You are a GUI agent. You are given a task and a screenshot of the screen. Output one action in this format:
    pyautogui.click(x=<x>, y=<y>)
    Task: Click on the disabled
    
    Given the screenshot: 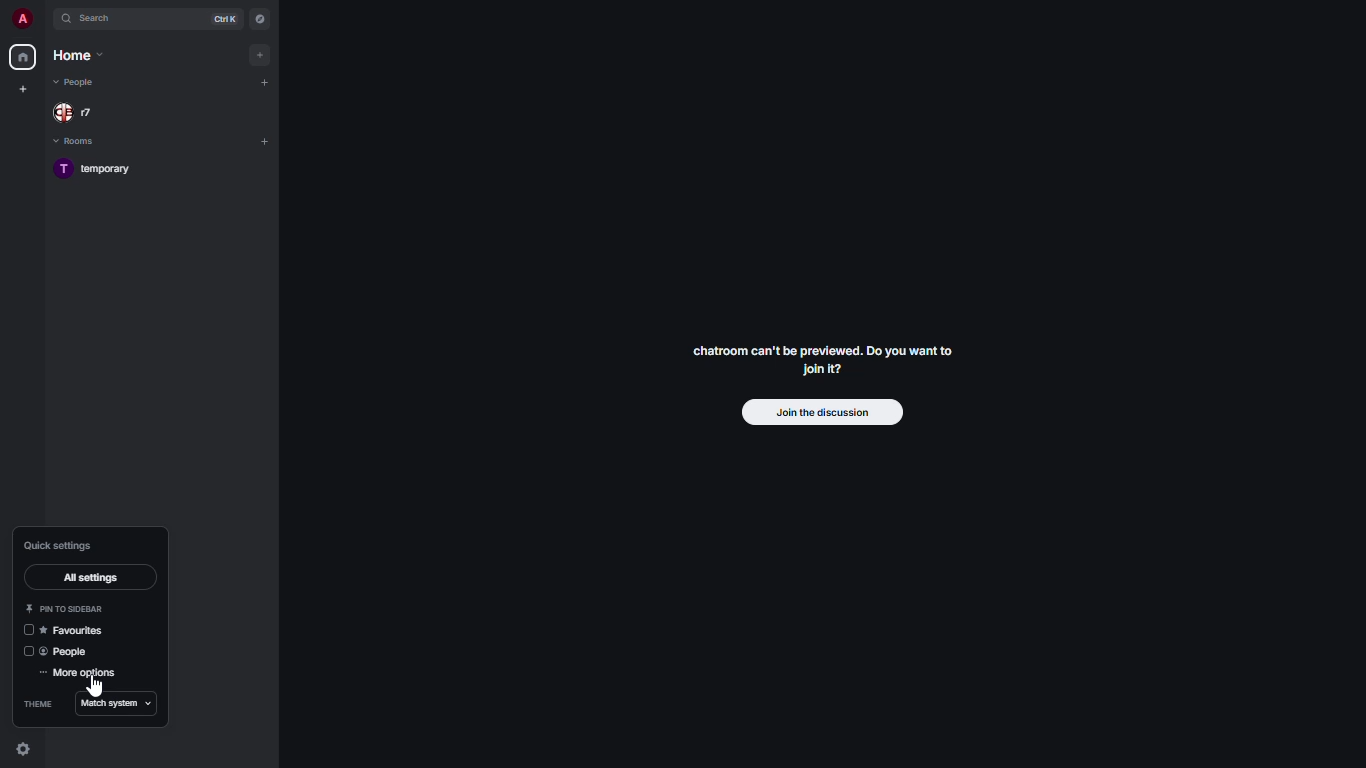 What is the action you would take?
    pyautogui.click(x=27, y=651)
    